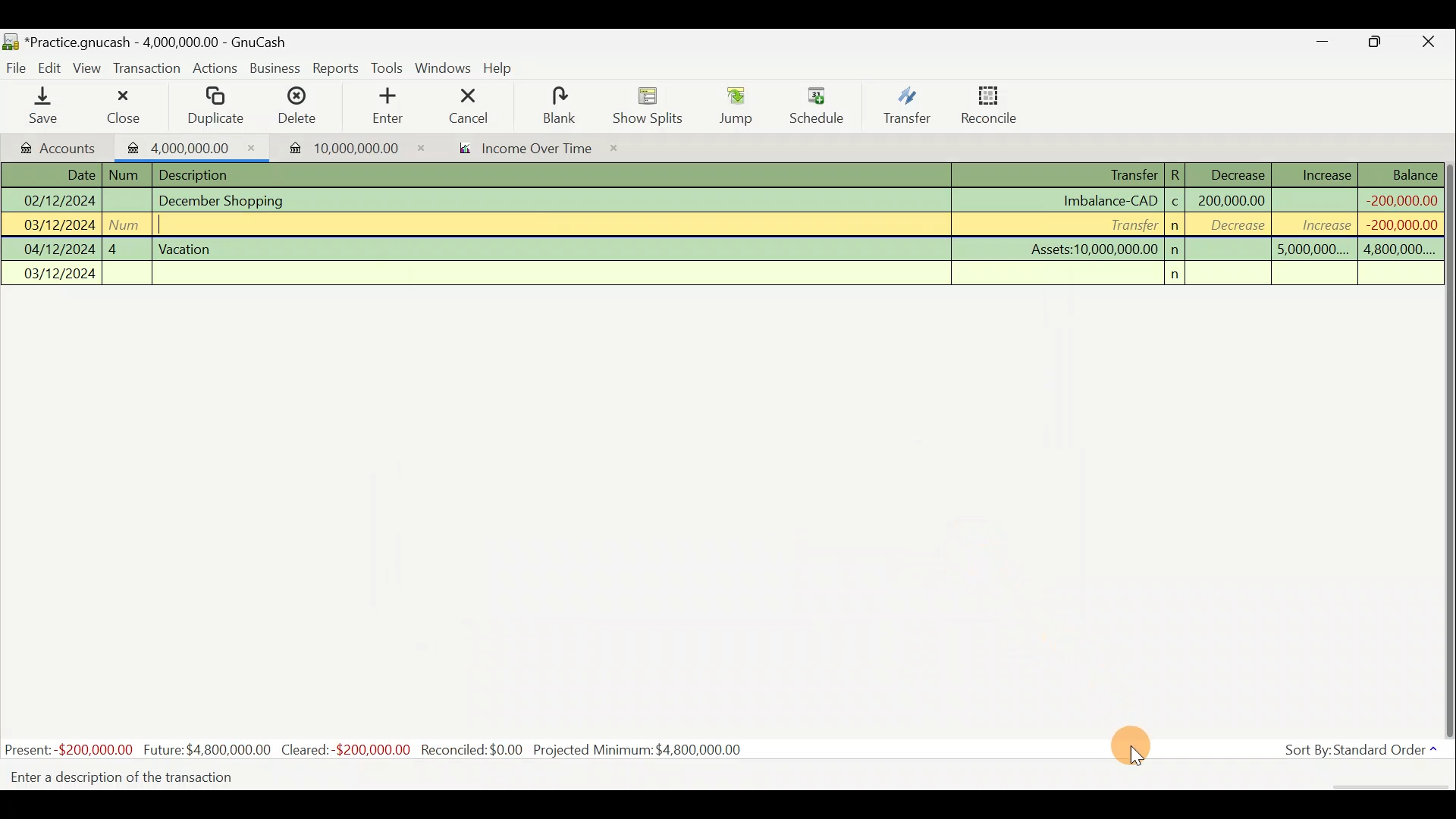 The height and width of the screenshot is (819, 1456). I want to click on Help, so click(504, 70).